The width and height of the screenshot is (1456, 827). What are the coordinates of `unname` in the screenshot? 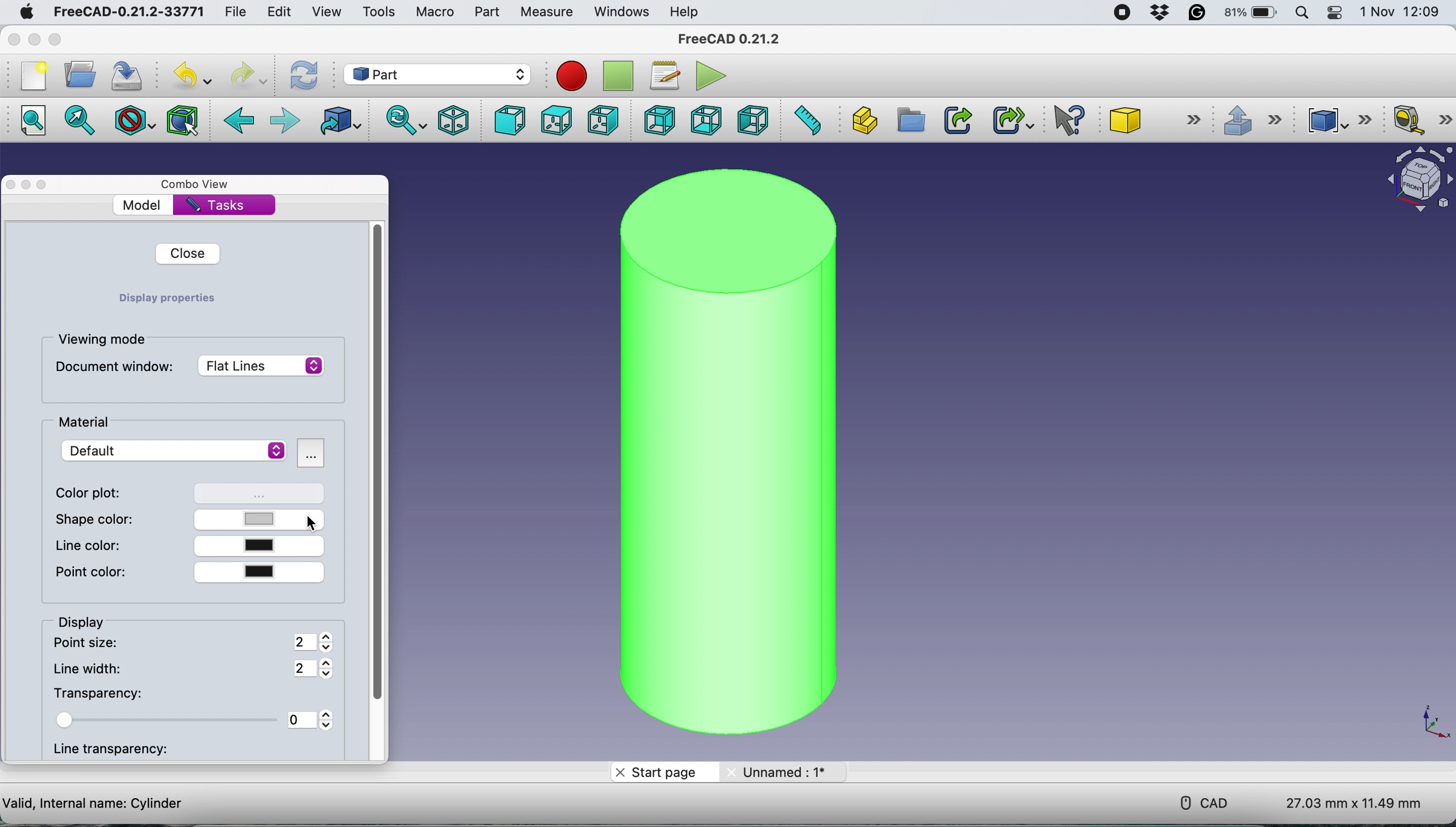 It's located at (780, 773).